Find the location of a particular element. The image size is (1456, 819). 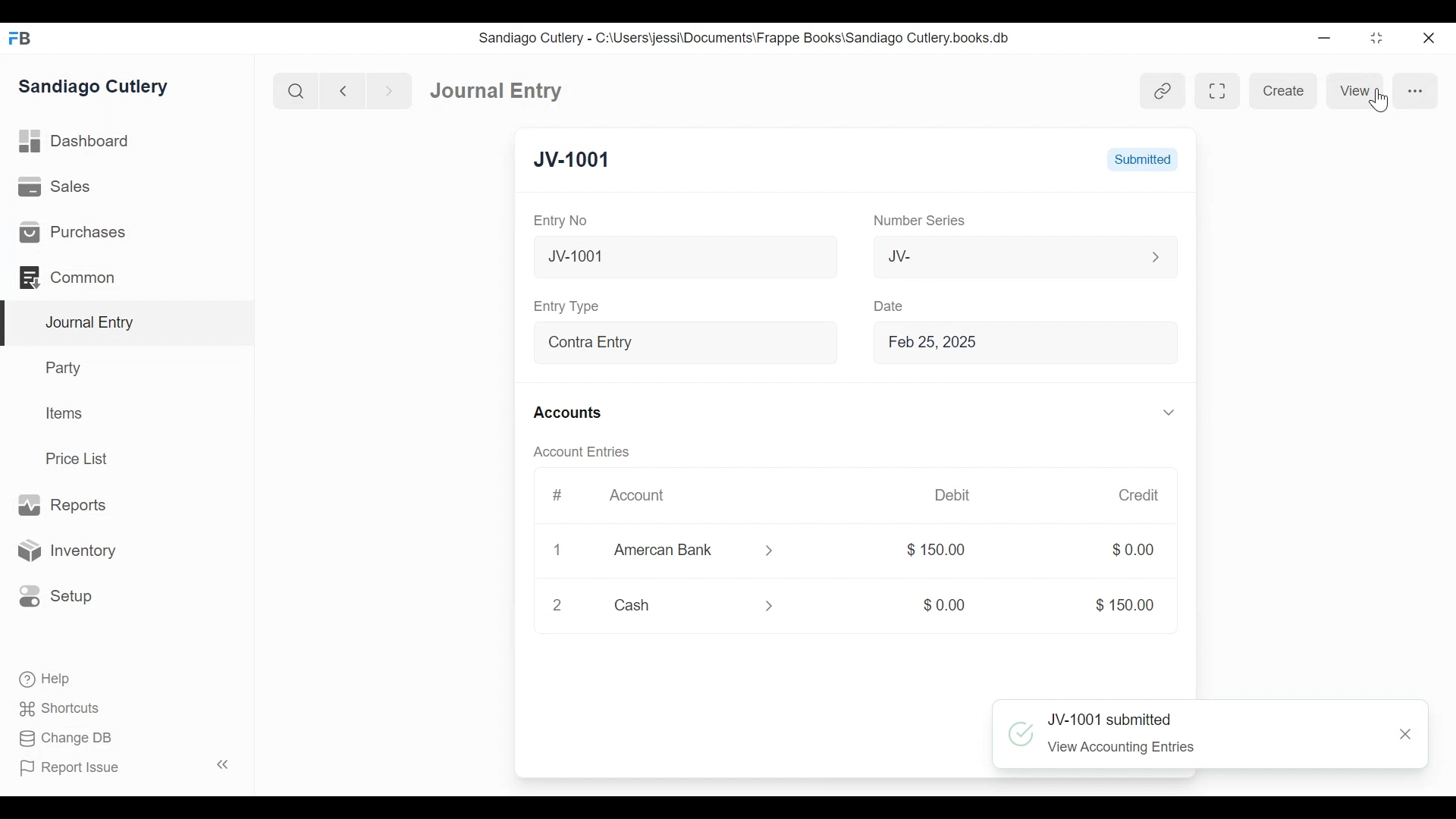

Restore is located at coordinates (1379, 37).